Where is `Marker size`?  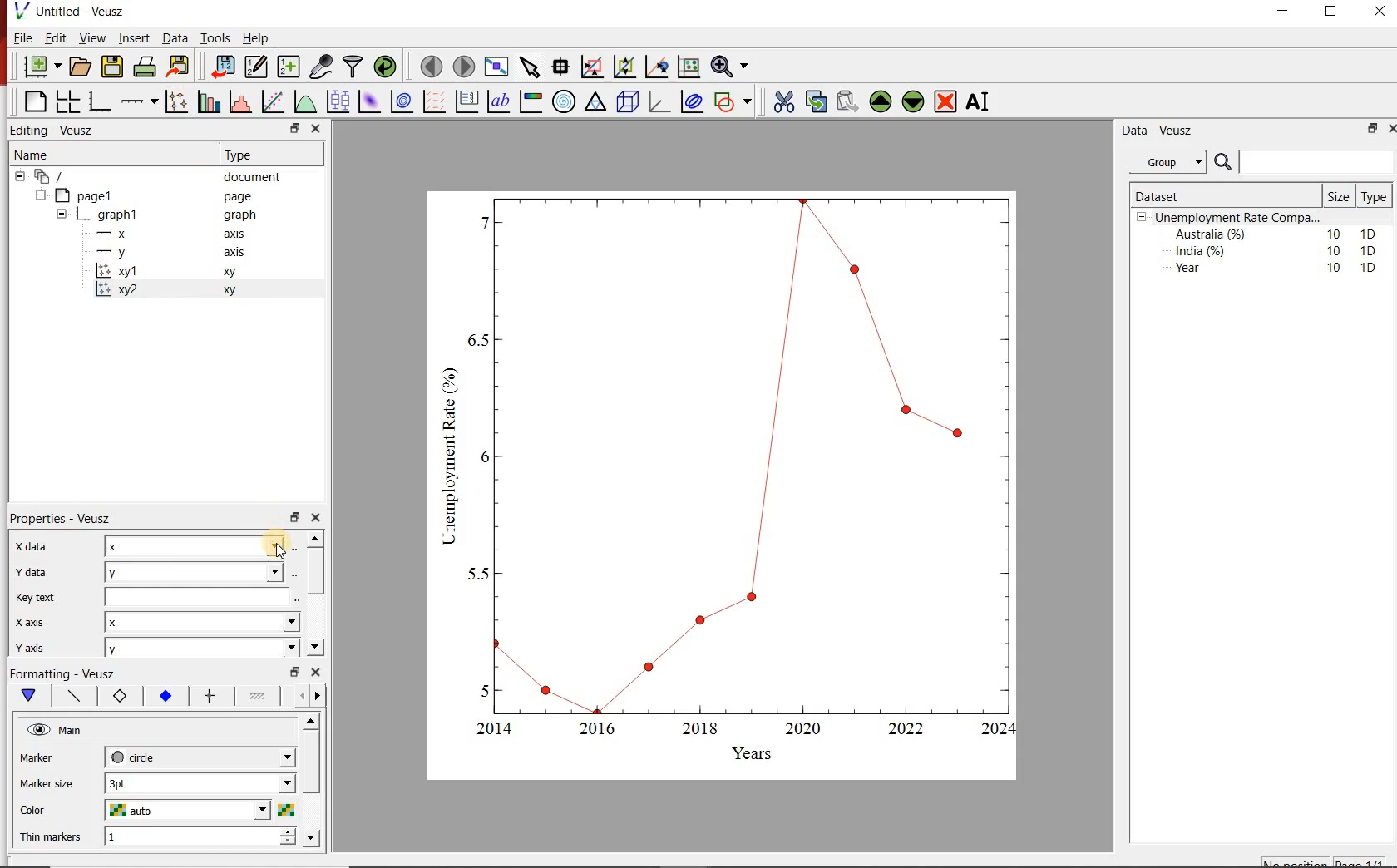
Marker size is located at coordinates (48, 782).